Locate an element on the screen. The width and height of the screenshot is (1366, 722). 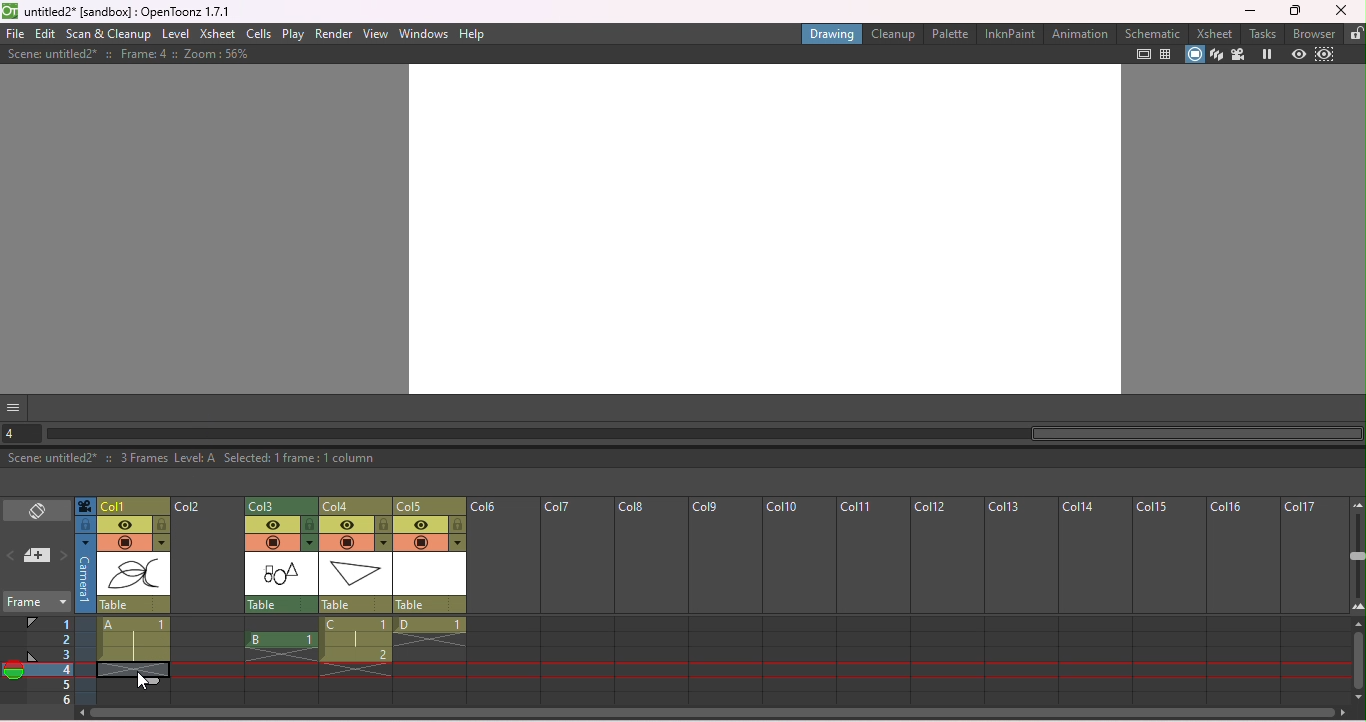
camera stand visibility toggle is located at coordinates (272, 542).